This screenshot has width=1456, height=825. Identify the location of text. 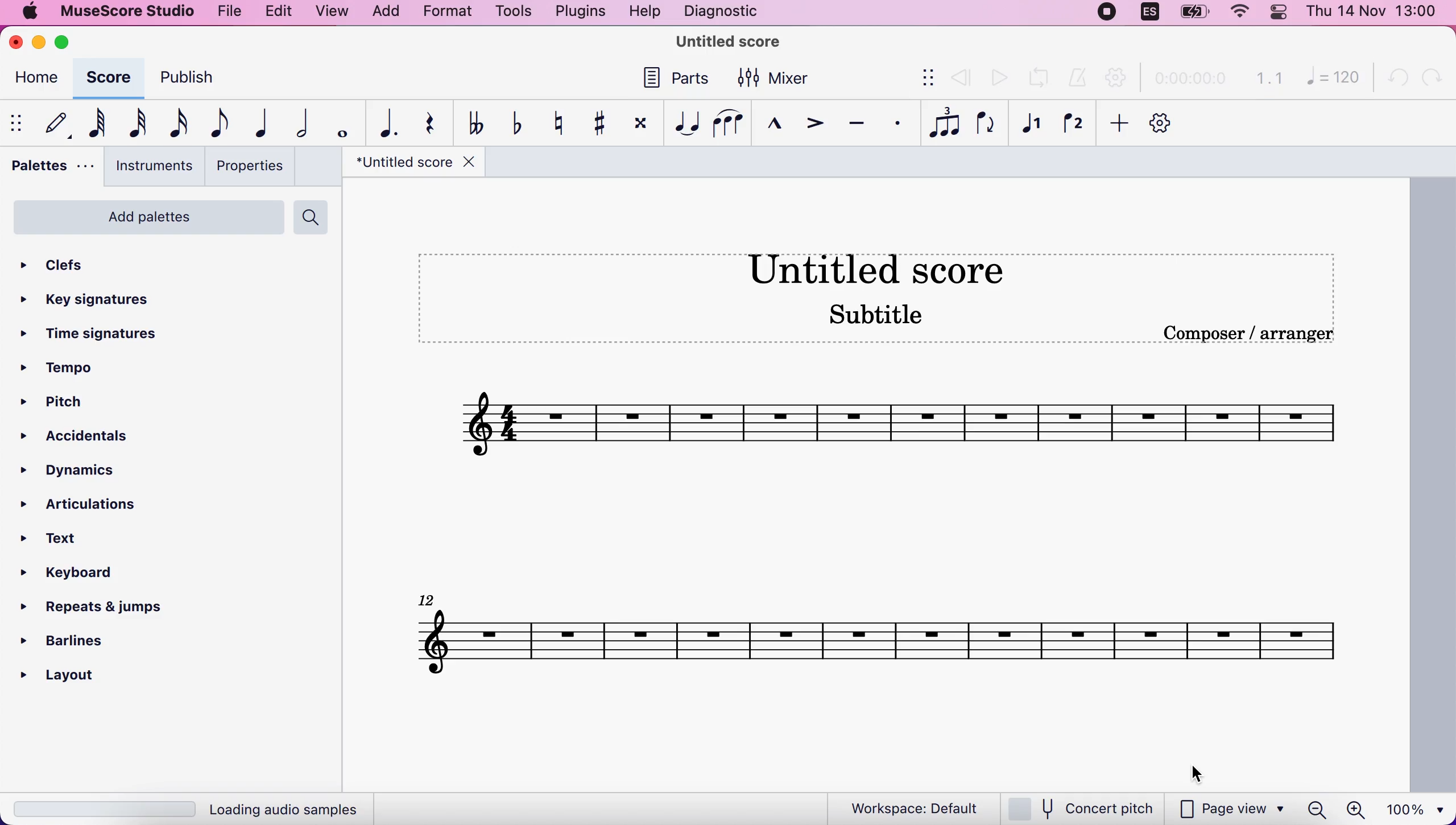
(72, 539).